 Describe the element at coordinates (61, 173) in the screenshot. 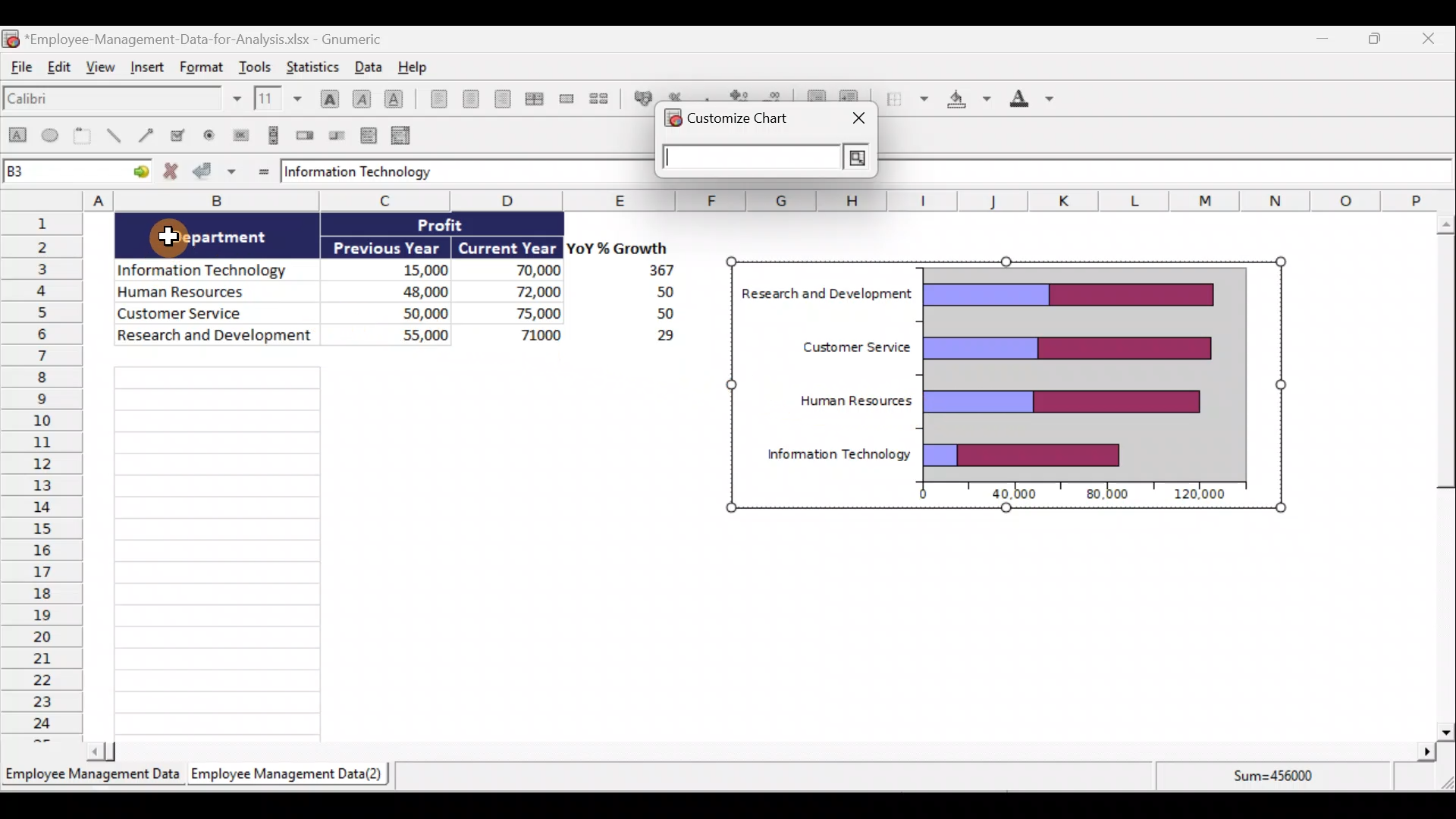

I see `Cell name B3` at that location.